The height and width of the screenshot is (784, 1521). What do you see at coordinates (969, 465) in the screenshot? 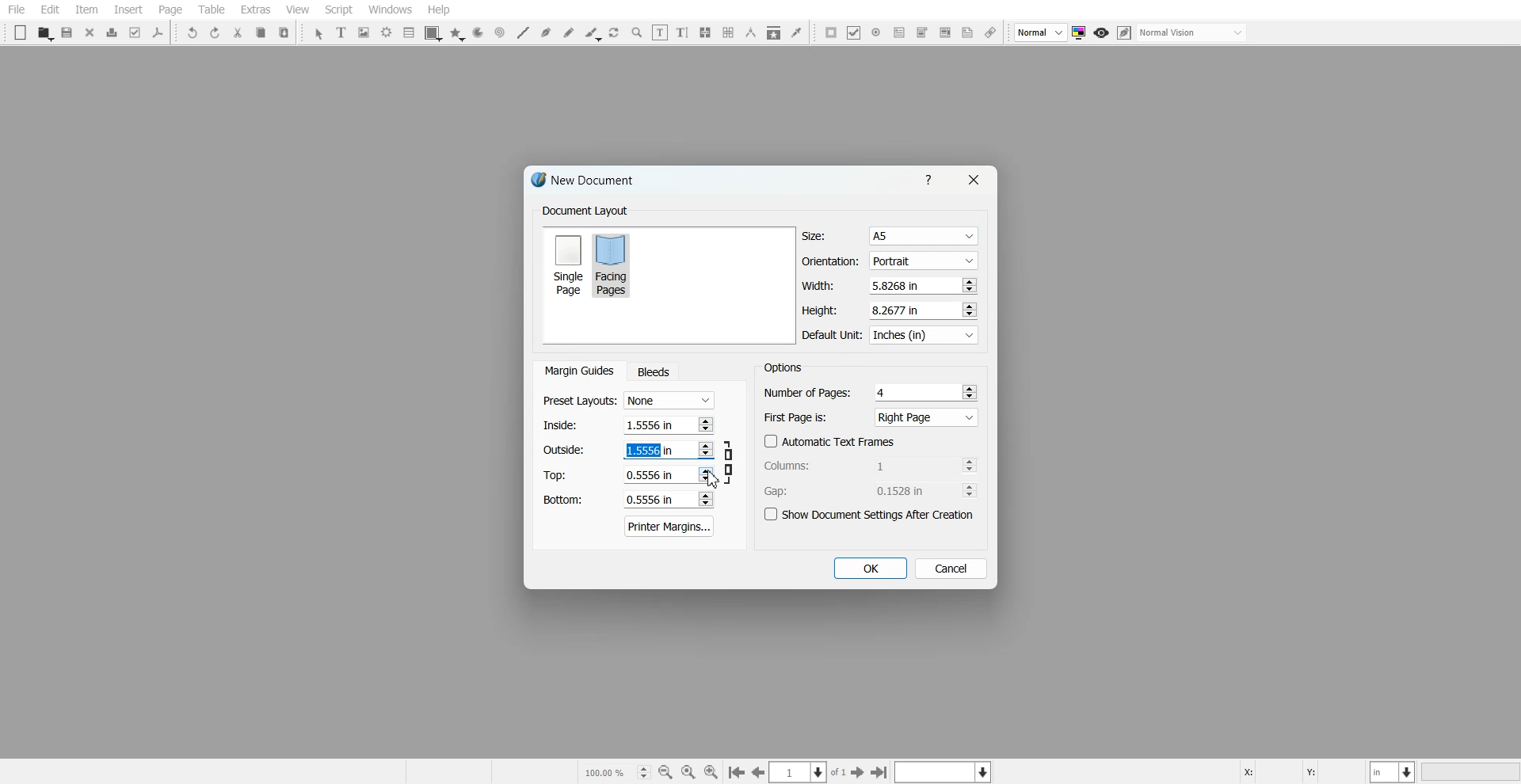
I see `Increase and decrease No. ` at bounding box center [969, 465].